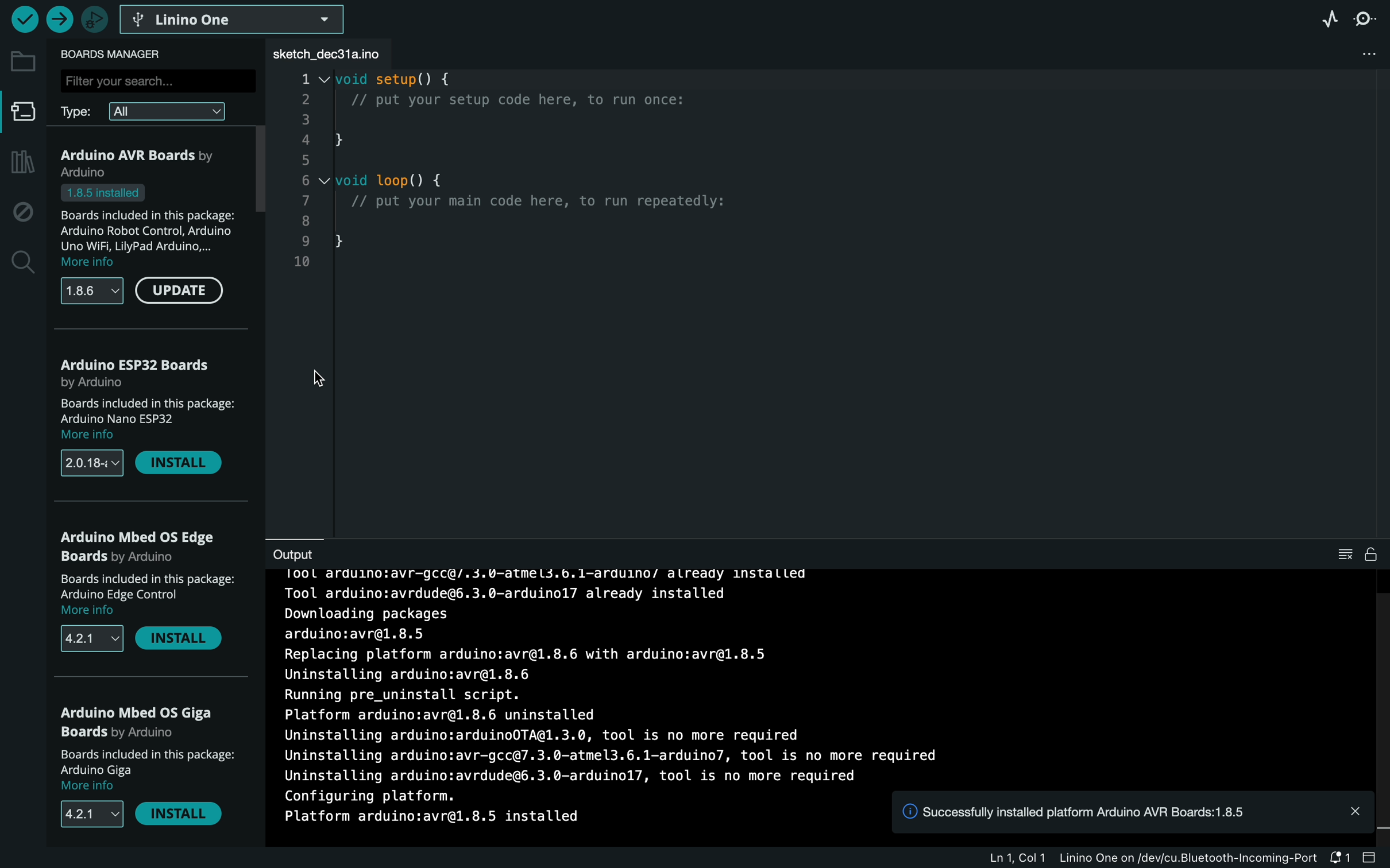 Image resolution: width=1390 pixels, height=868 pixels. What do you see at coordinates (23, 61) in the screenshot?
I see `folder` at bounding box center [23, 61].